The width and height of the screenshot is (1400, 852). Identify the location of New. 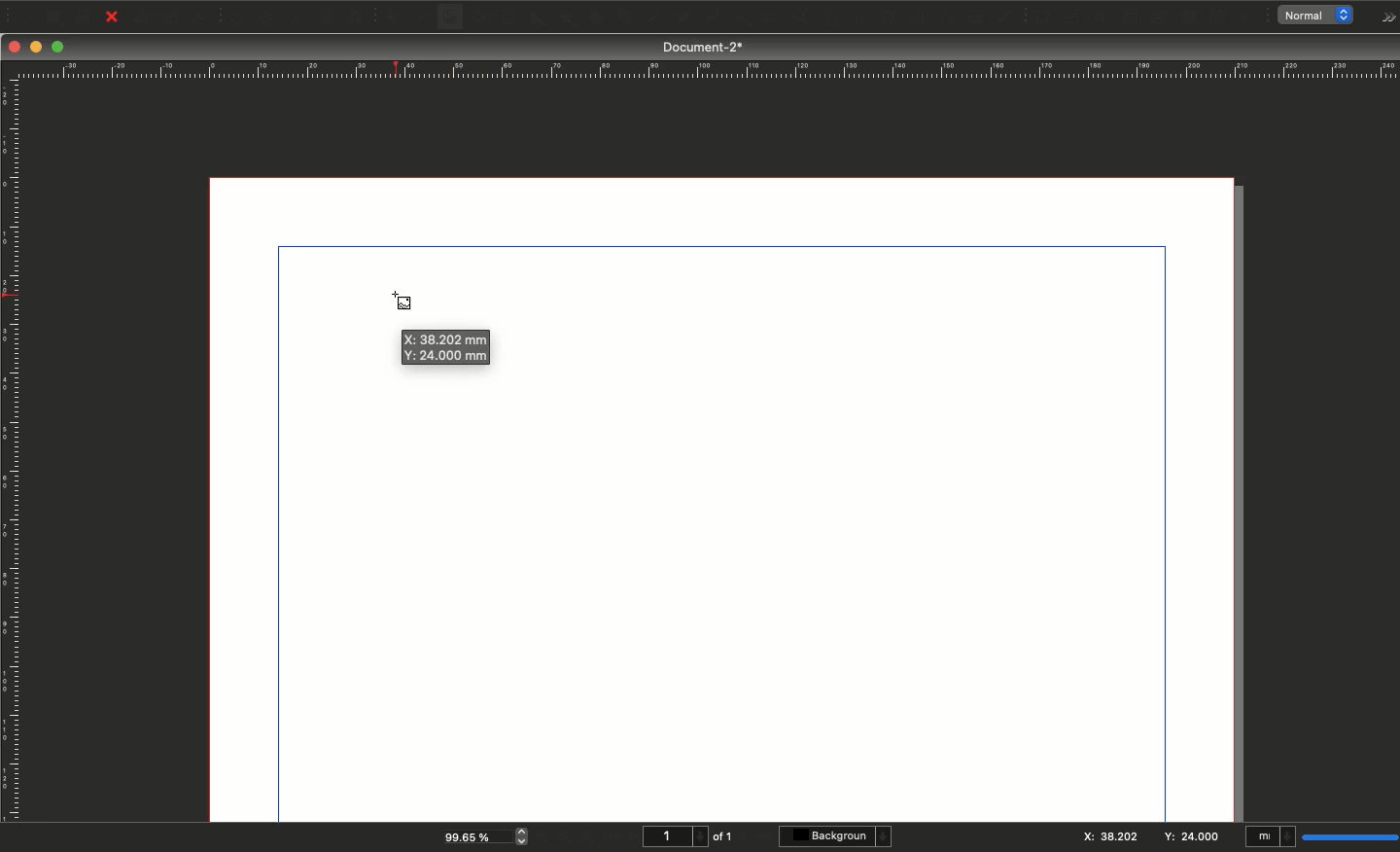
(21, 15).